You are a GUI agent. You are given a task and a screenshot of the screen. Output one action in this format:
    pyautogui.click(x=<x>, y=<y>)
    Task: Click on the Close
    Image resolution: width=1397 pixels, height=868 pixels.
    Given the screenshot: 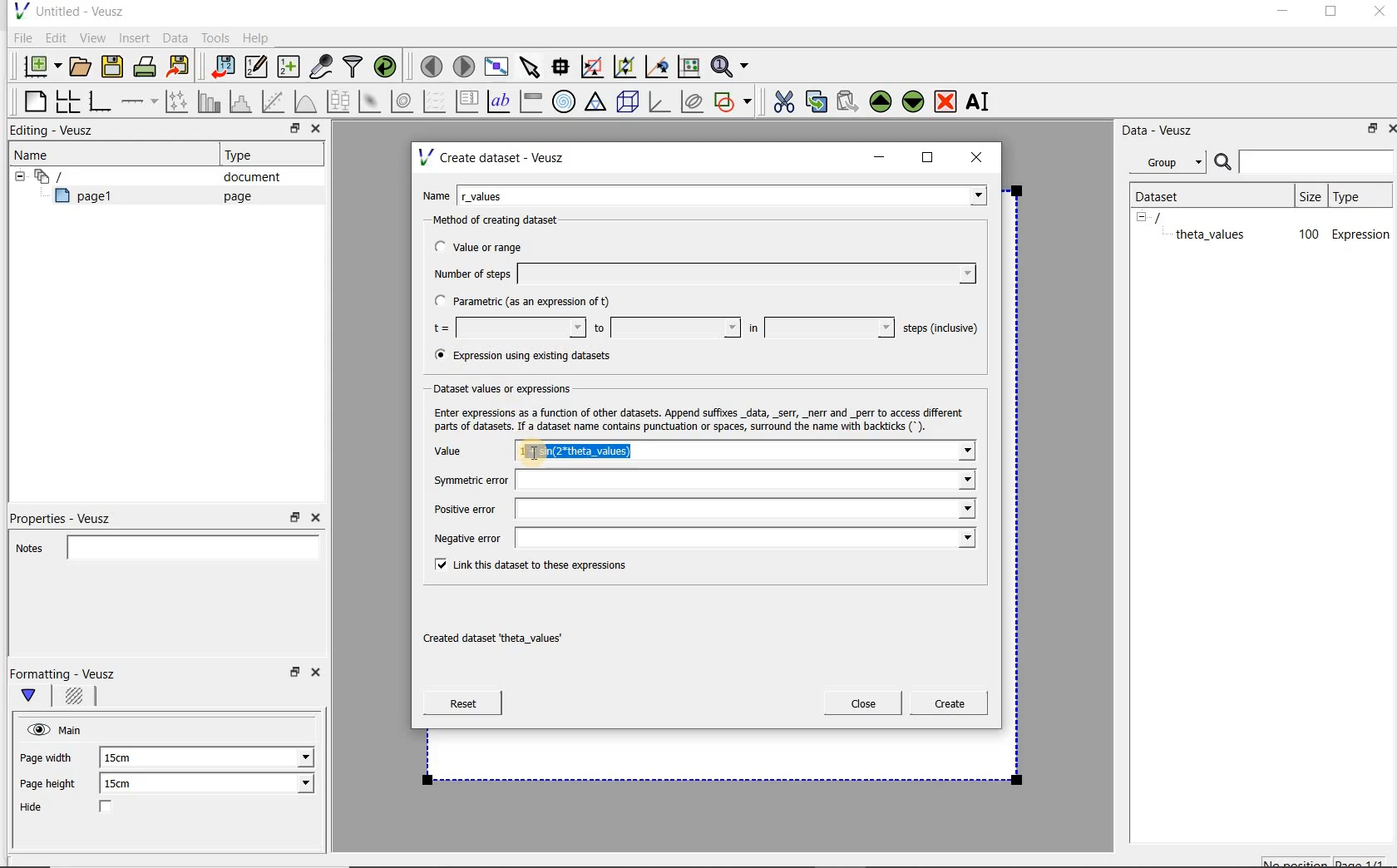 What is the action you would take?
    pyautogui.click(x=314, y=518)
    